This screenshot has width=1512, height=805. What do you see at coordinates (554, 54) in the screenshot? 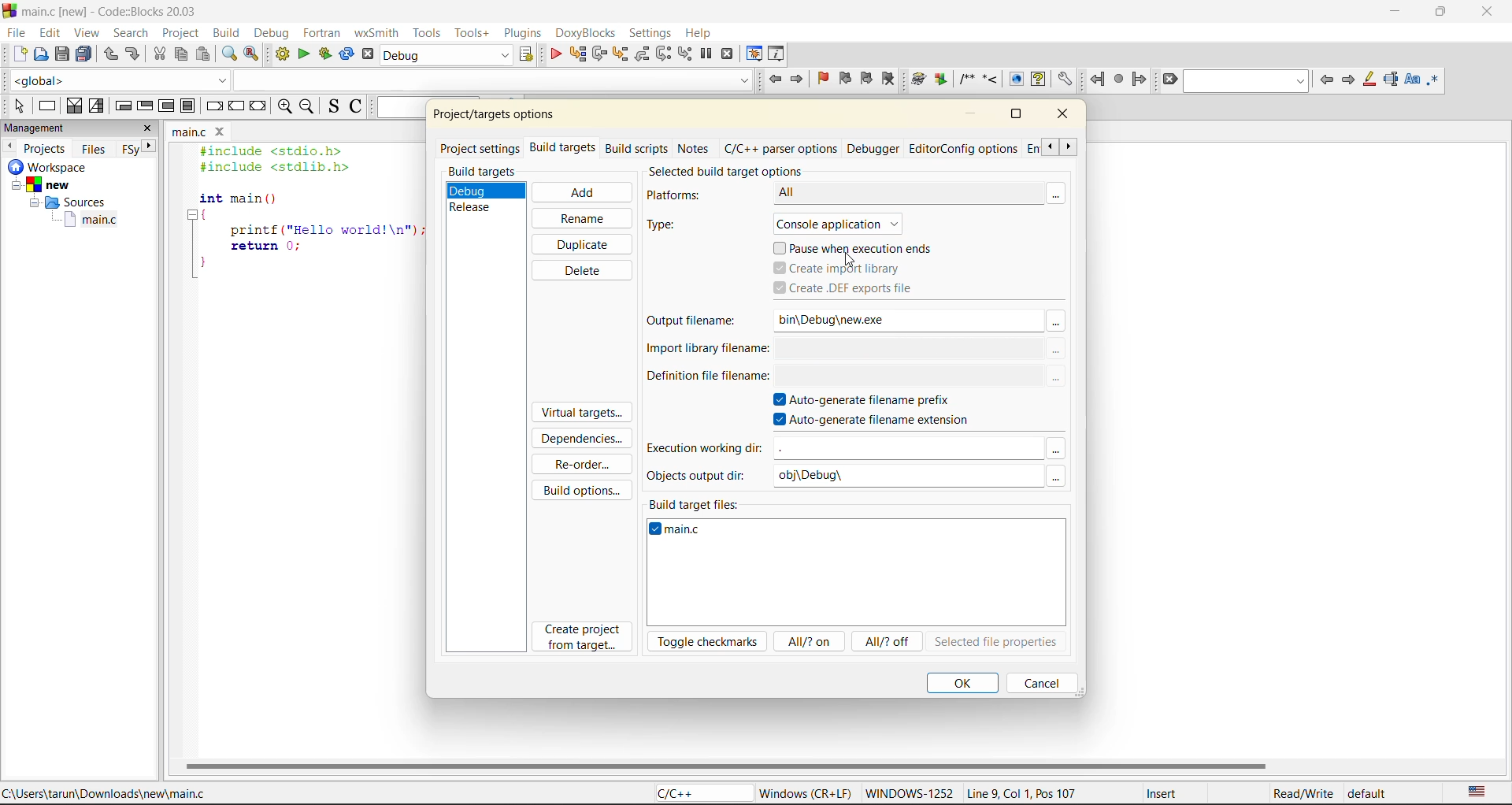
I see `debug` at bounding box center [554, 54].